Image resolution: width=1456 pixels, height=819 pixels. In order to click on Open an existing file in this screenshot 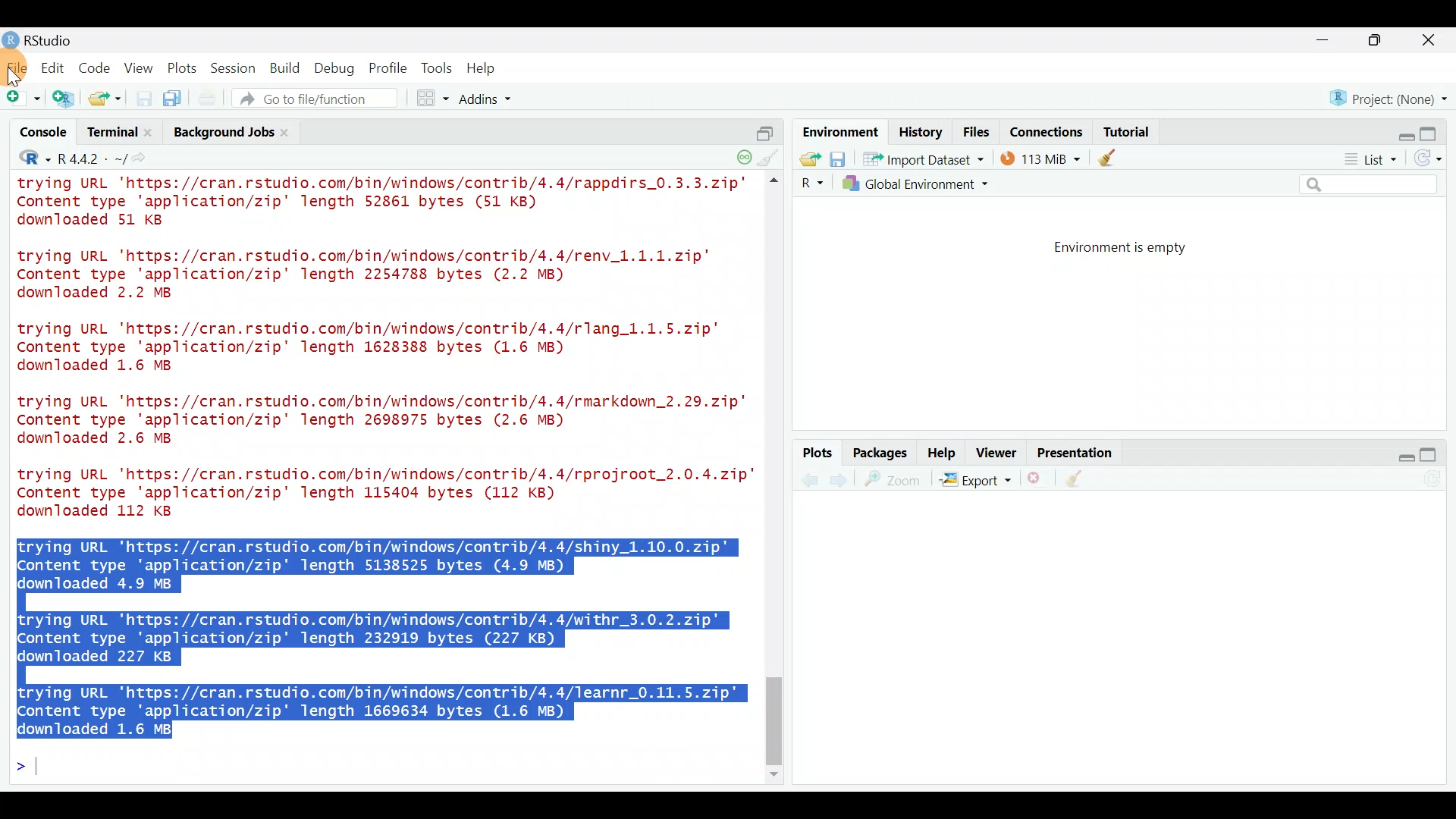, I will do `click(106, 100)`.